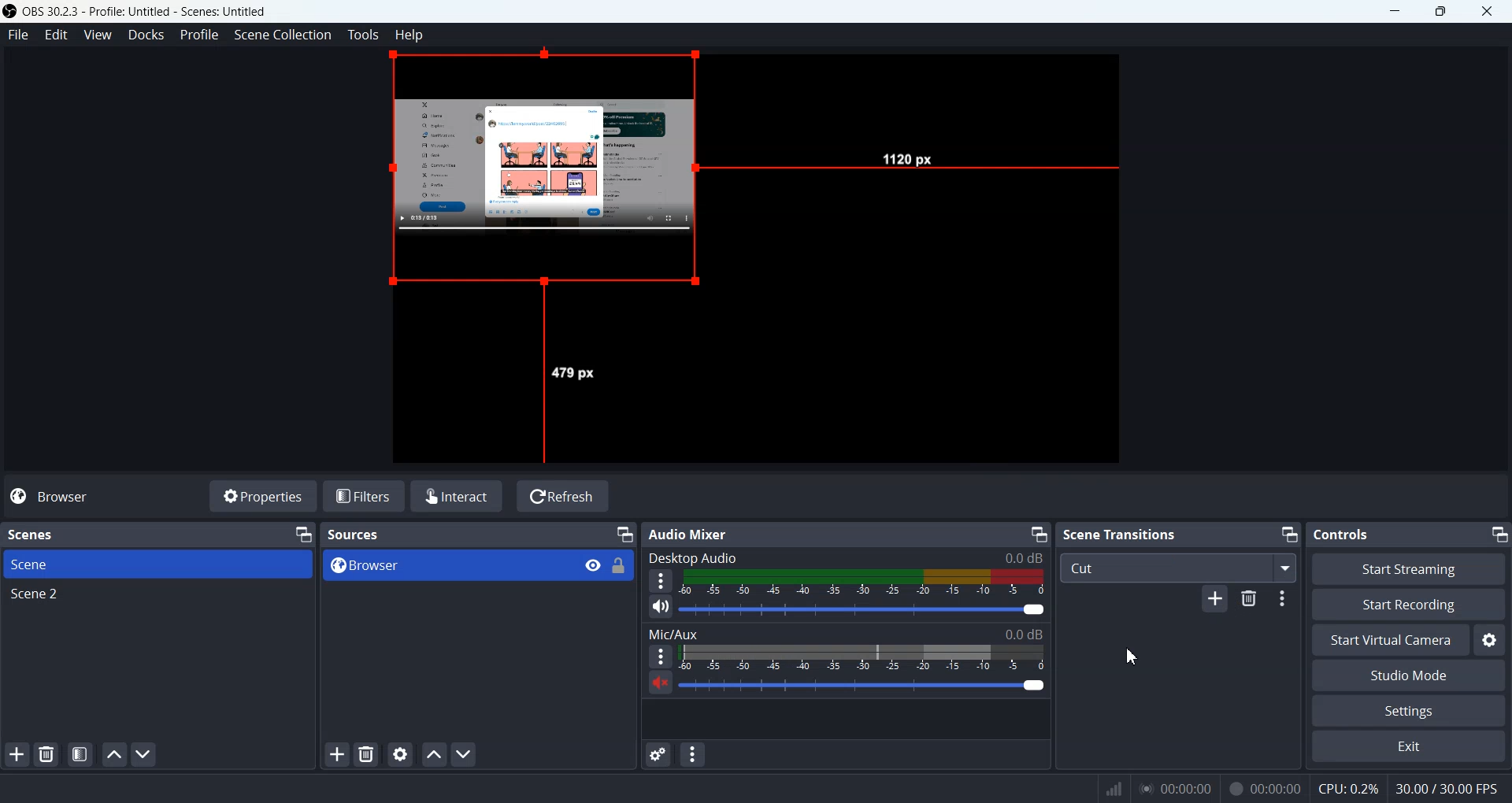  Describe the element at coordinates (661, 580) in the screenshot. I see `More` at that location.